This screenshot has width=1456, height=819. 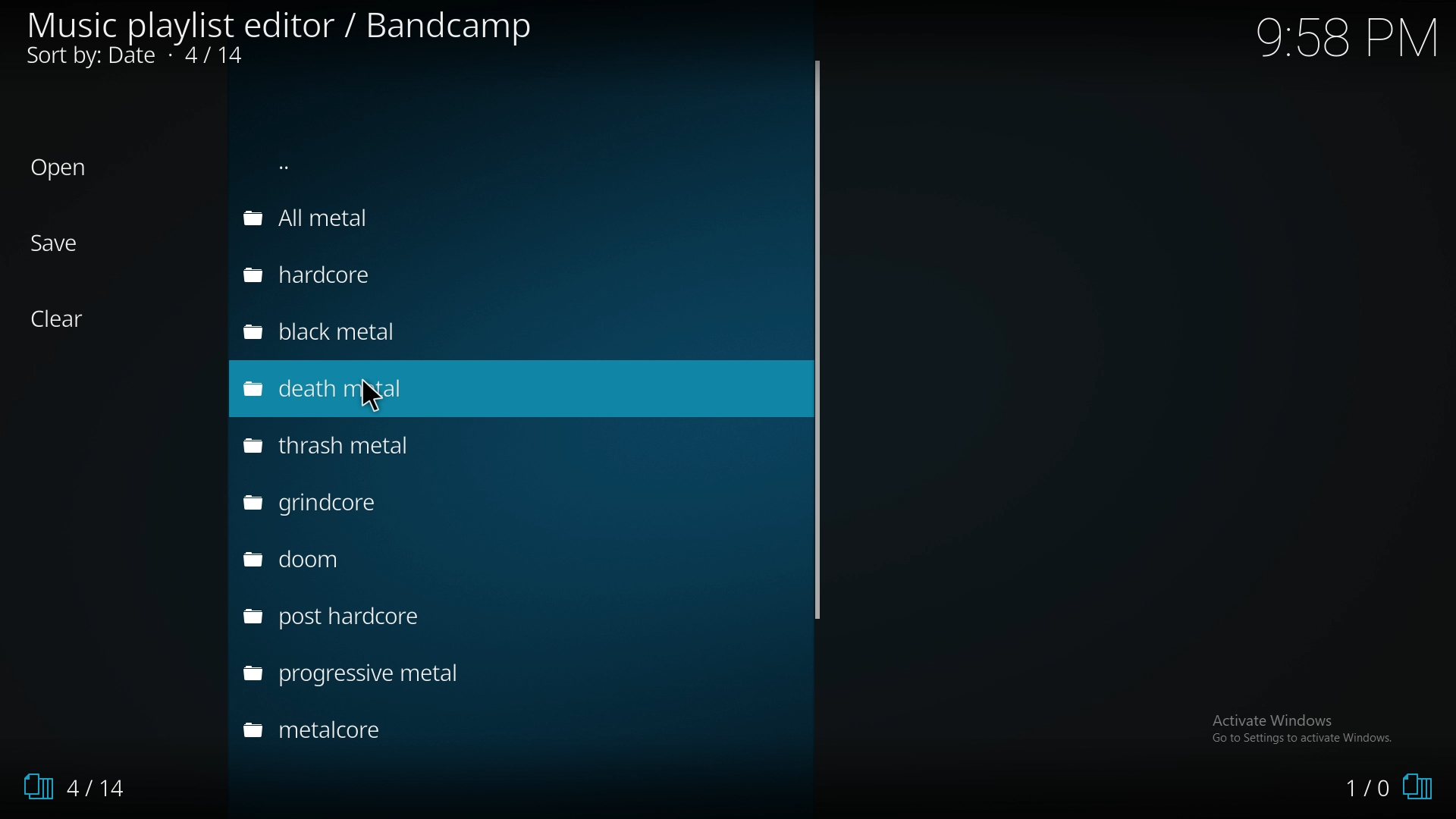 I want to click on 9.58 PM, so click(x=1346, y=37).